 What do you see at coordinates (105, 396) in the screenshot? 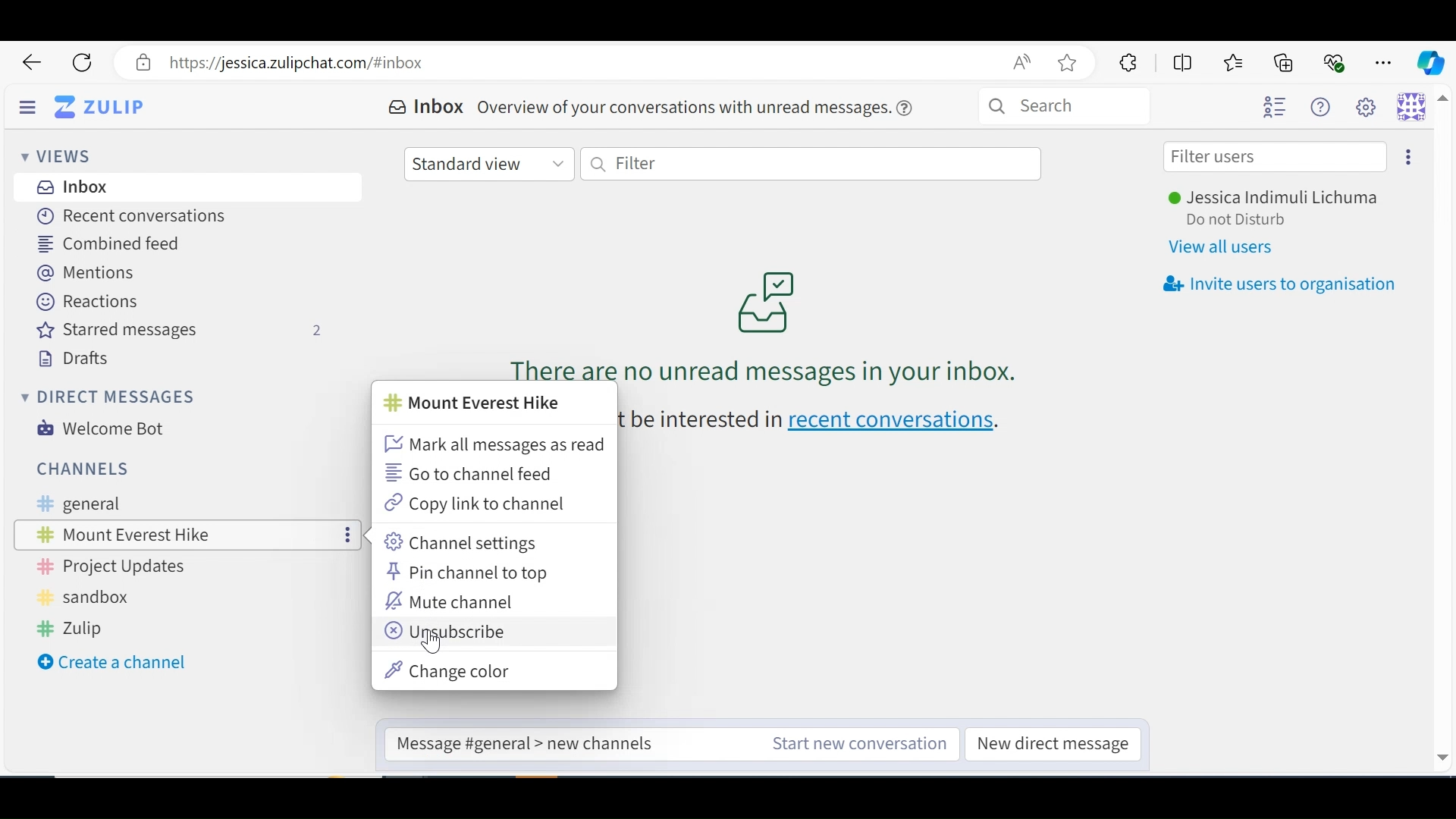
I see `Direct Messages` at bounding box center [105, 396].